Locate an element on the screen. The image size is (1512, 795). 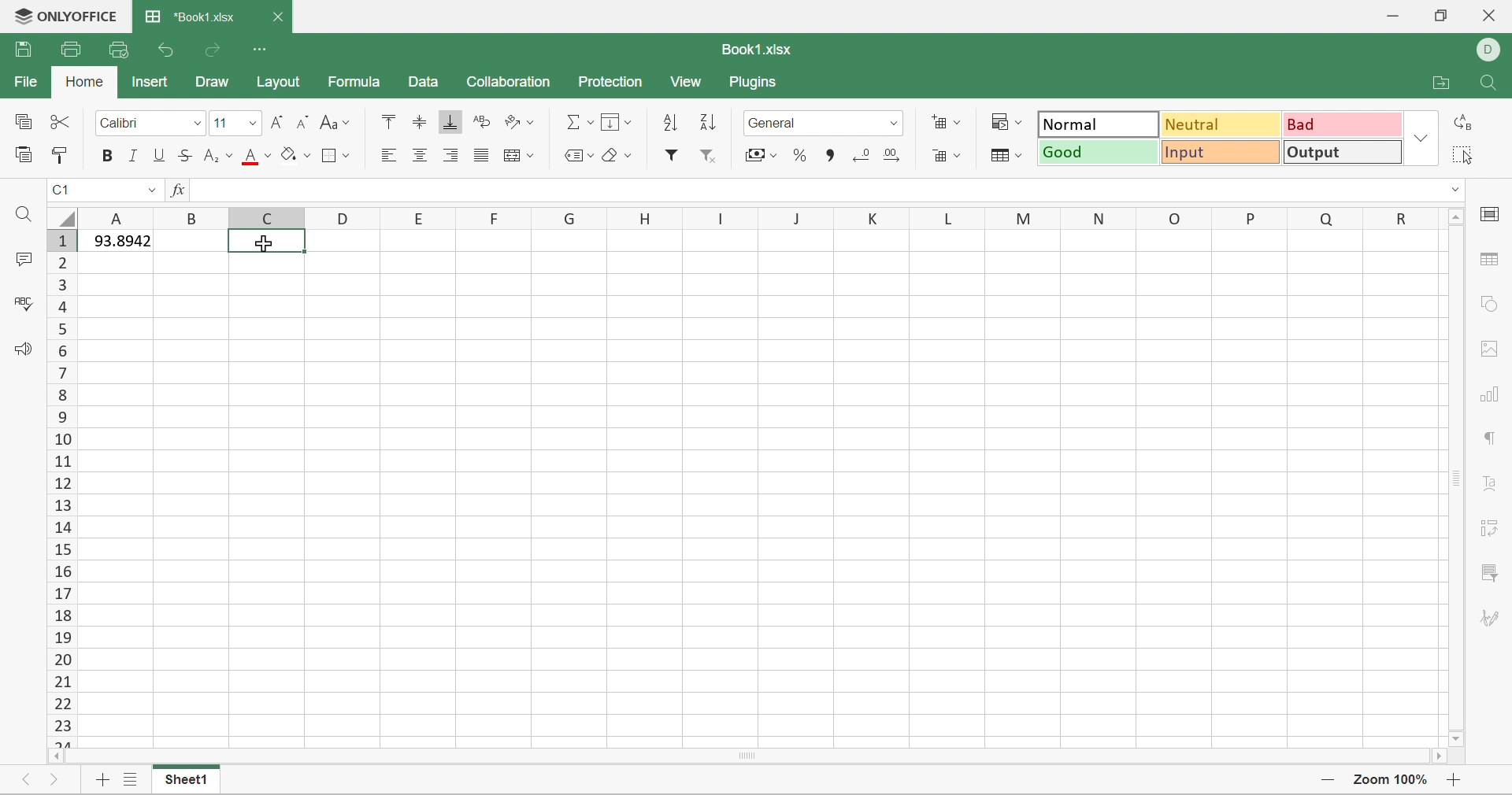
Summation is located at coordinates (580, 121).